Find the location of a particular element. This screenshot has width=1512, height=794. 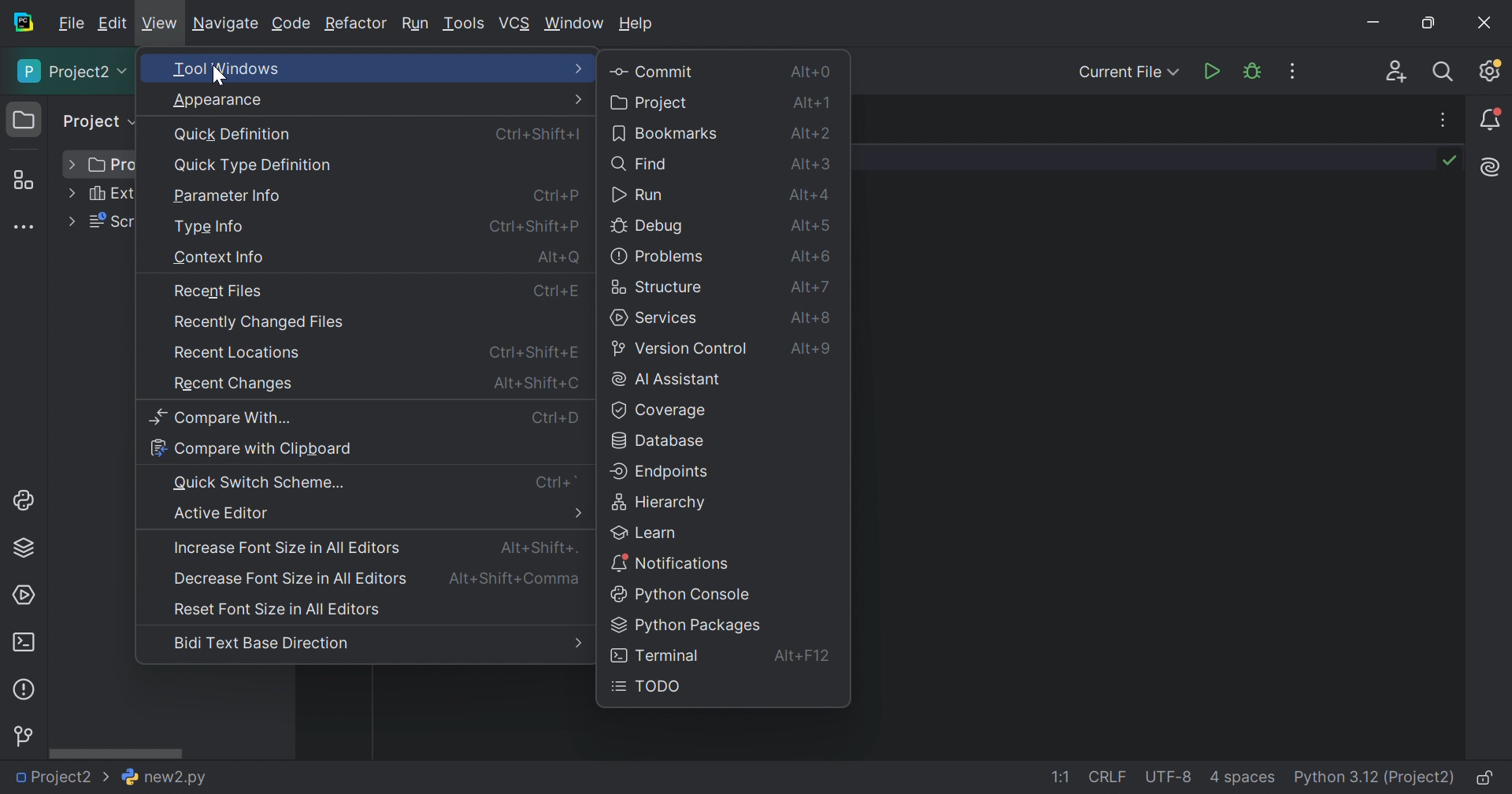

TODO is located at coordinates (650, 687).